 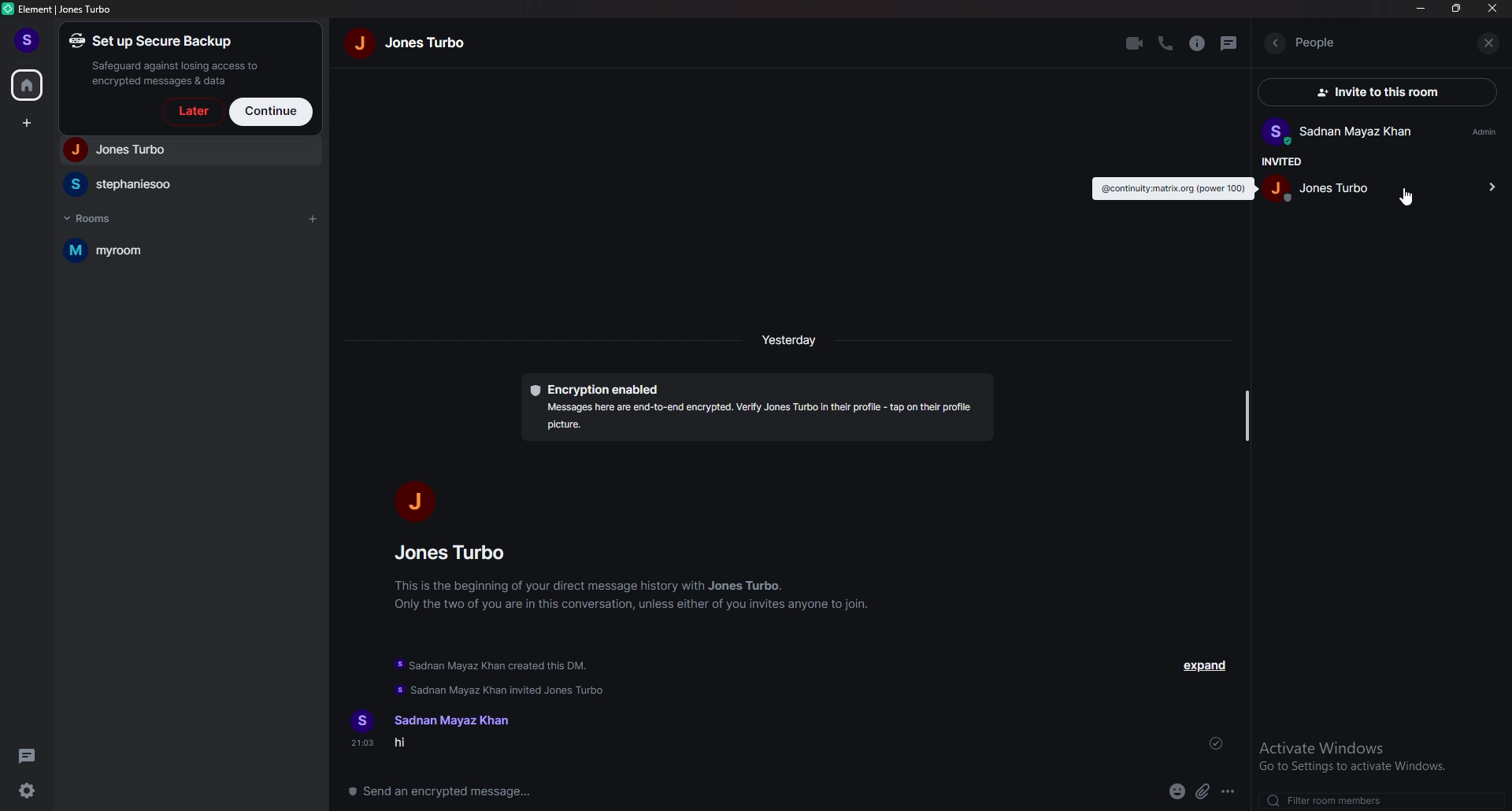 I want to click on people, so click(x=455, y=552).